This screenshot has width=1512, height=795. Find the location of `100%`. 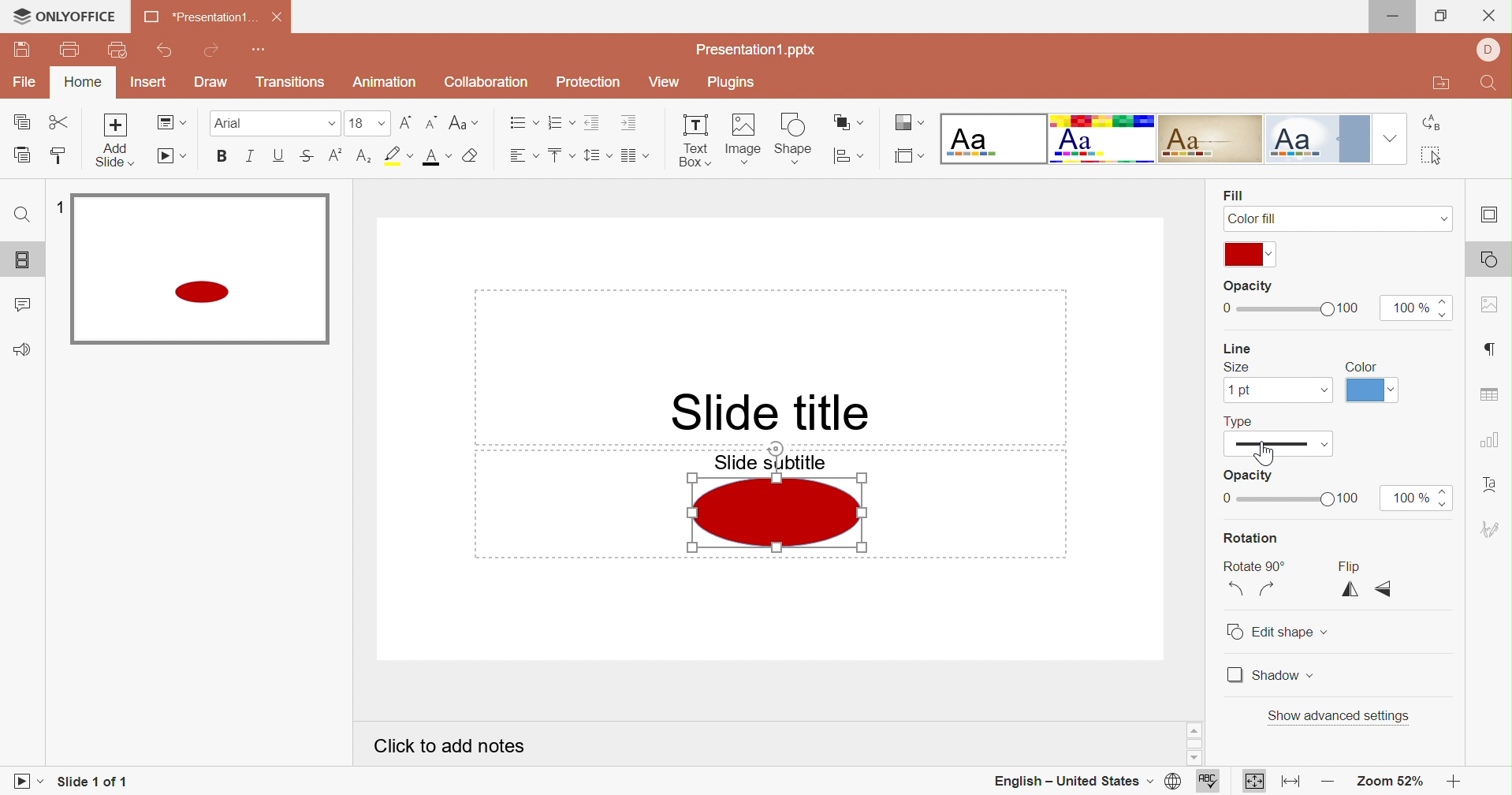

100% is located at coordinates (1420, 498).